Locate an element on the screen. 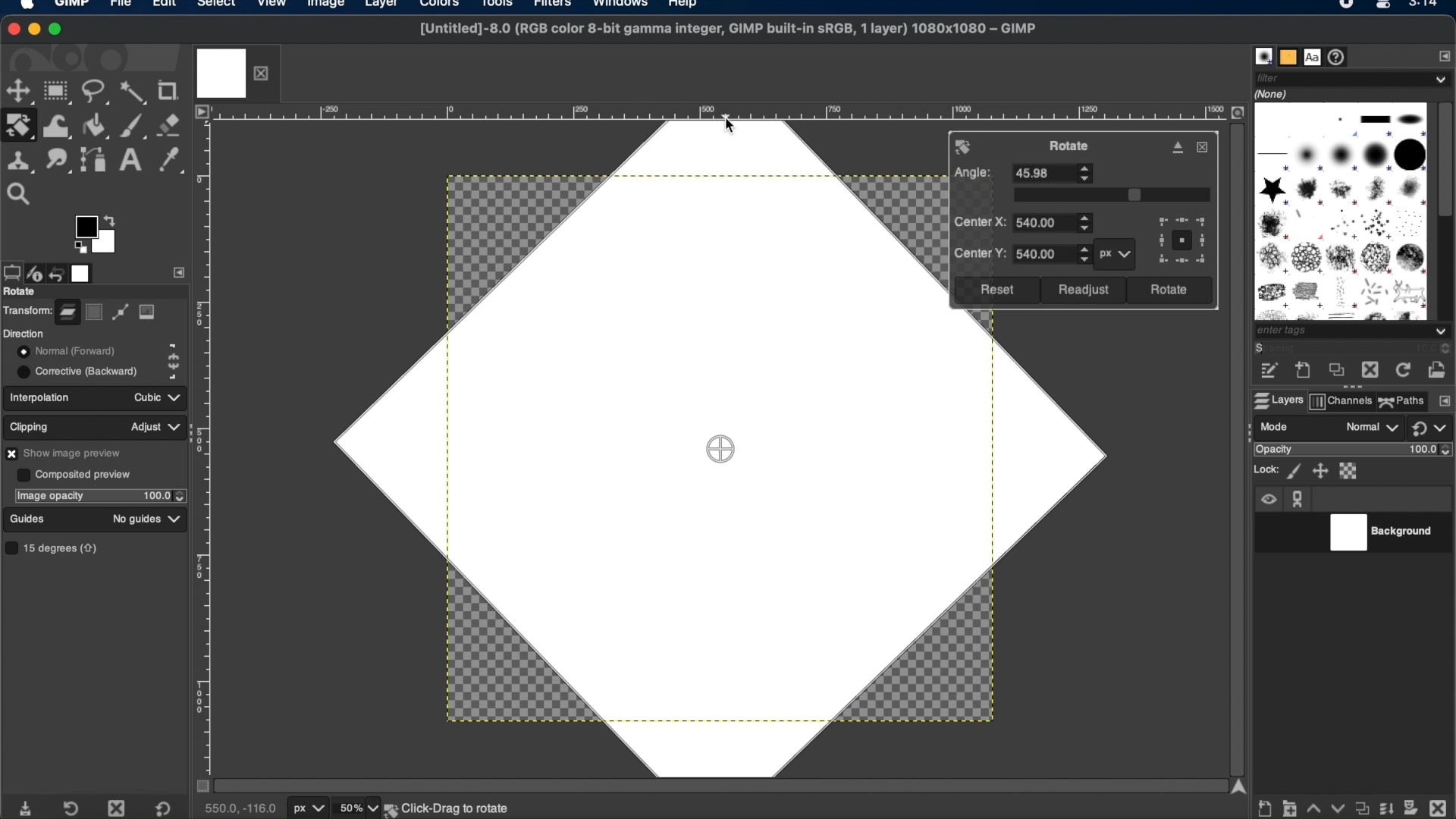 The image size is (1456, 819). rotate is located at coordinates (965, 147).